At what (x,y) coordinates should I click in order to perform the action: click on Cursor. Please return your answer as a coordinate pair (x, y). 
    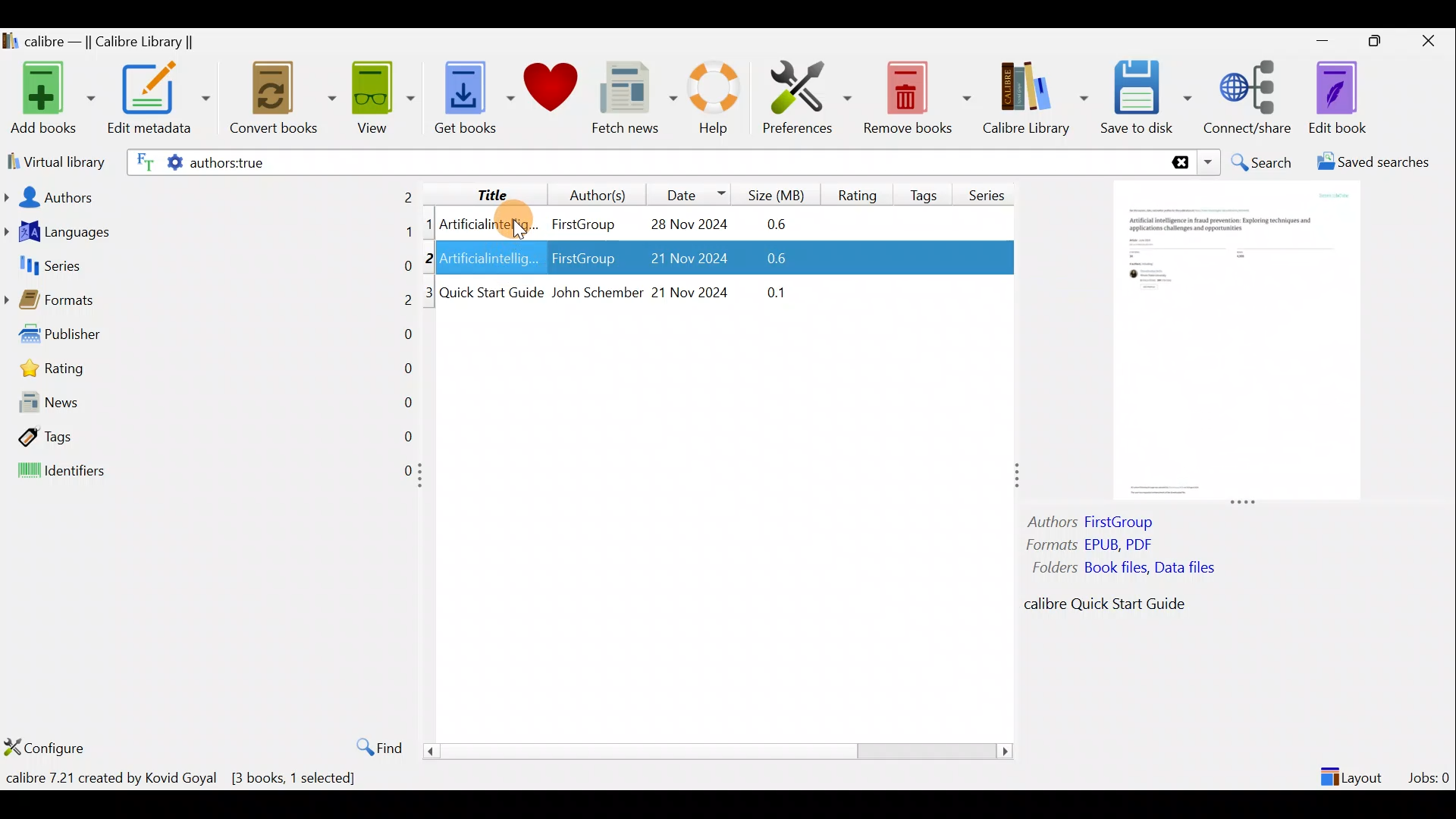
    Looking at the image, I should click on (509, 221).